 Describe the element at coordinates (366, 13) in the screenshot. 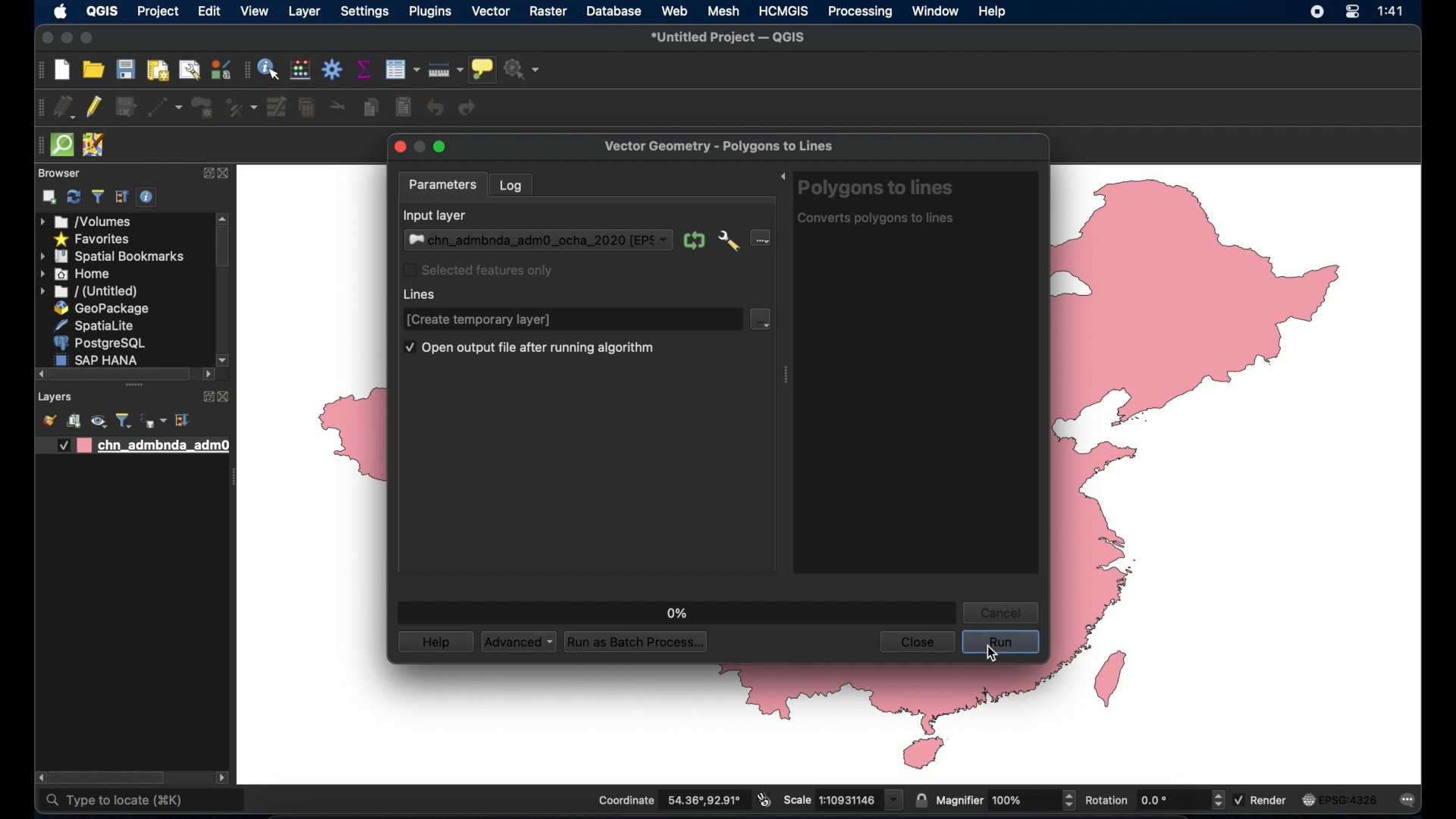

I see `settings` at that location.